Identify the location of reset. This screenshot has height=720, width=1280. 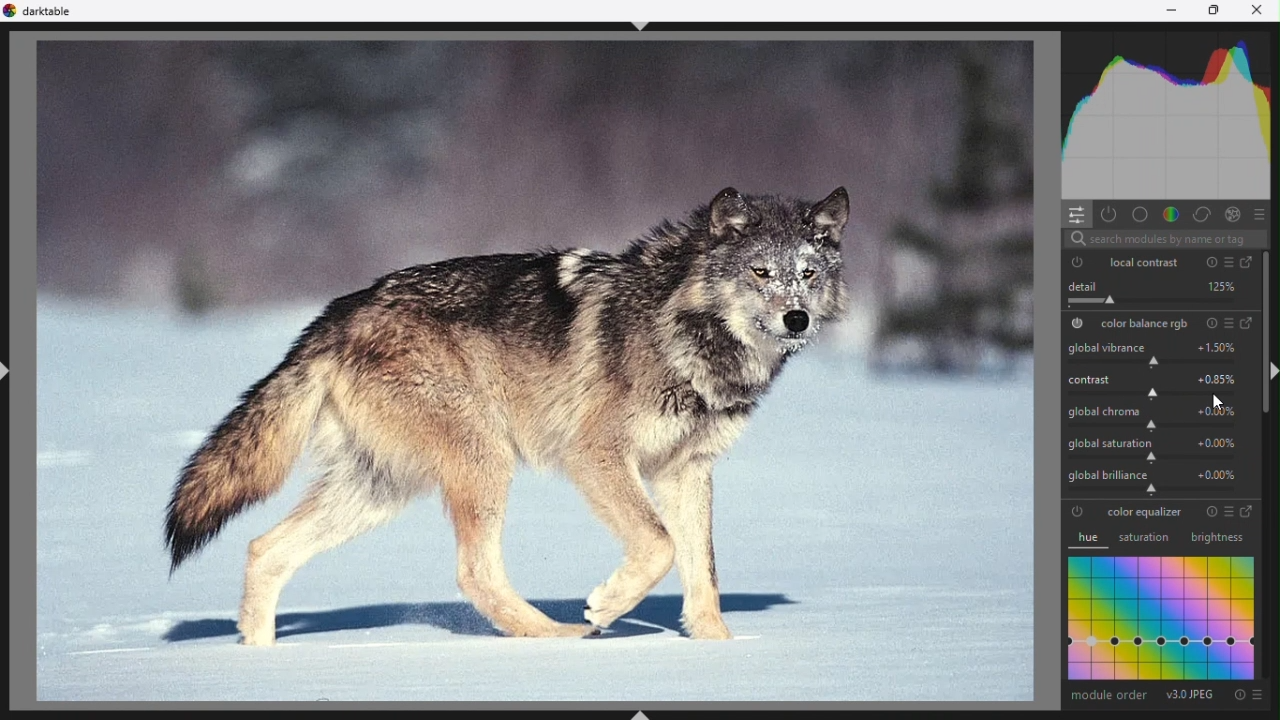
(1239, 695).